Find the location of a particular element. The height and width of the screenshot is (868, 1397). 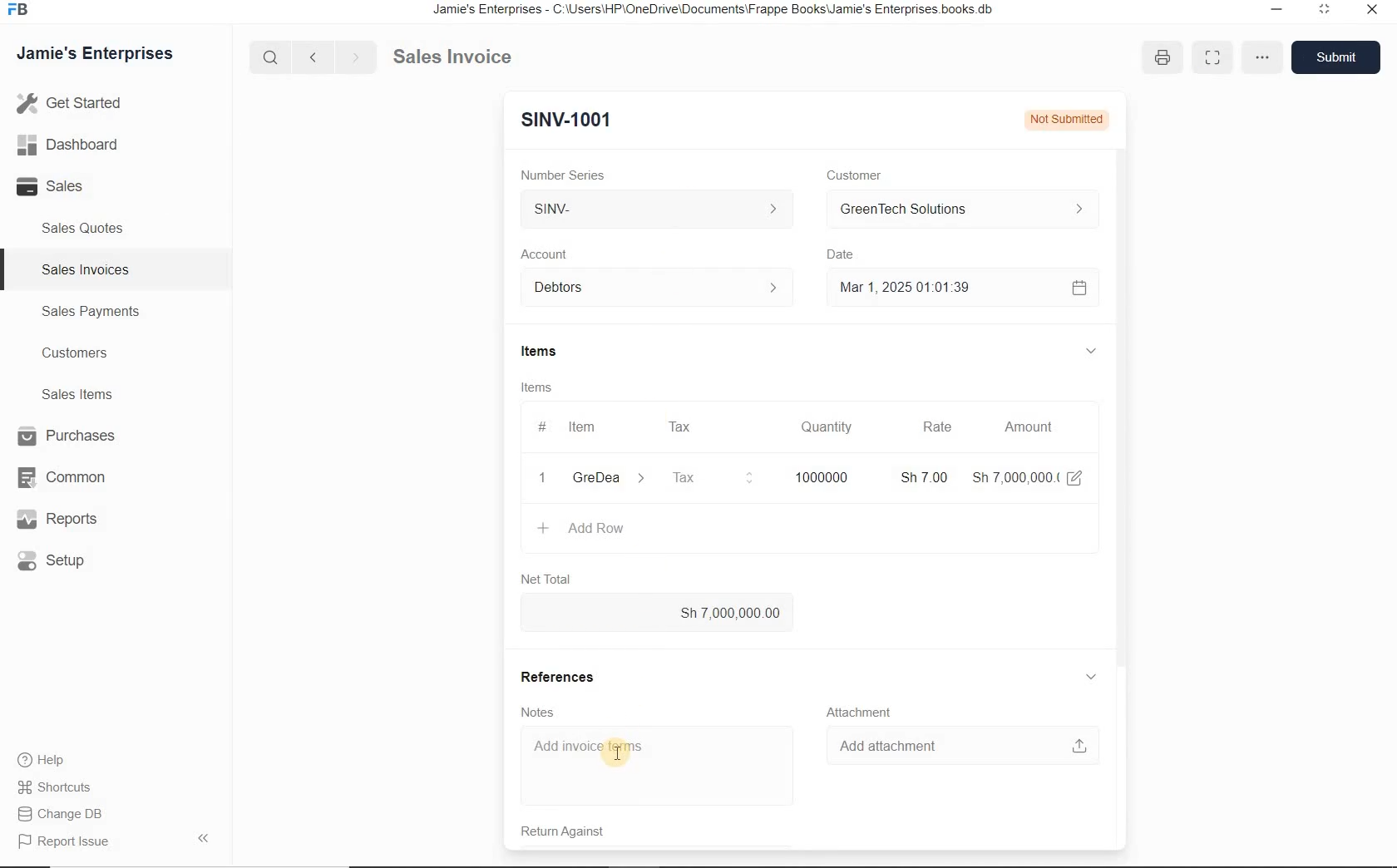

Customers is located at coordinates (72, 353).